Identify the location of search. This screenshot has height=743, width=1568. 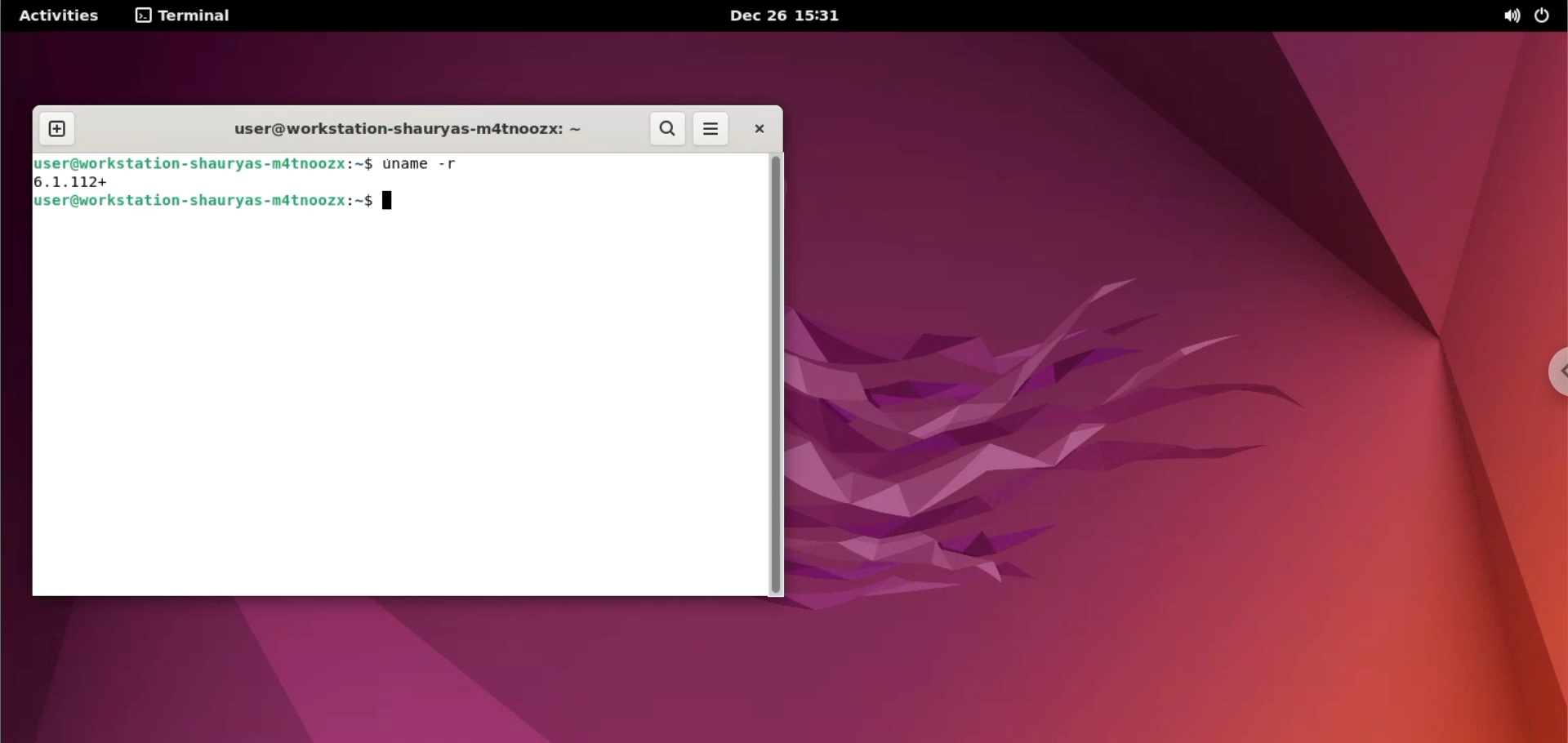
(666, 130).